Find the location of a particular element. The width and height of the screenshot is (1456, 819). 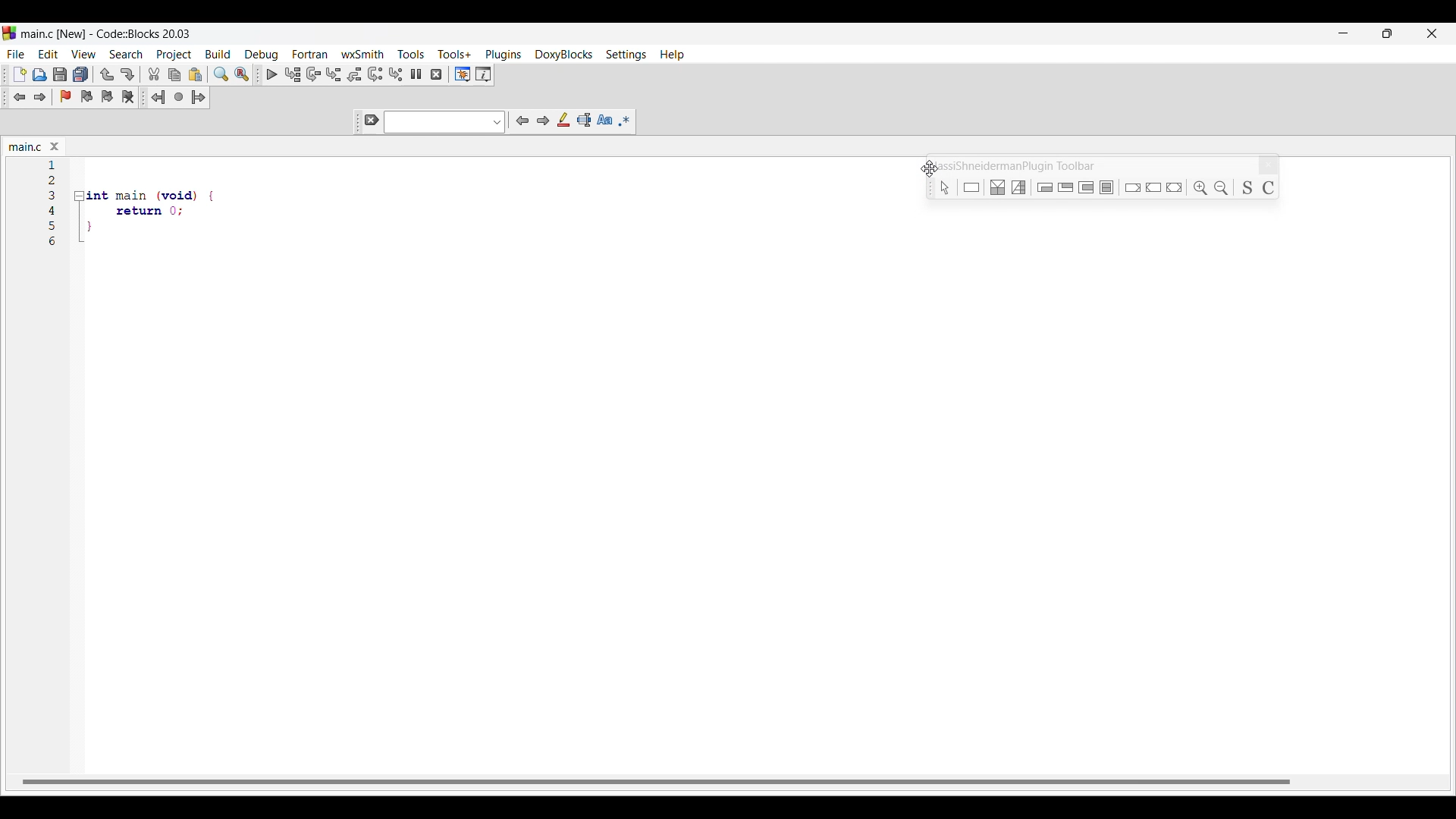

Find is located at coordinates (221, 74).